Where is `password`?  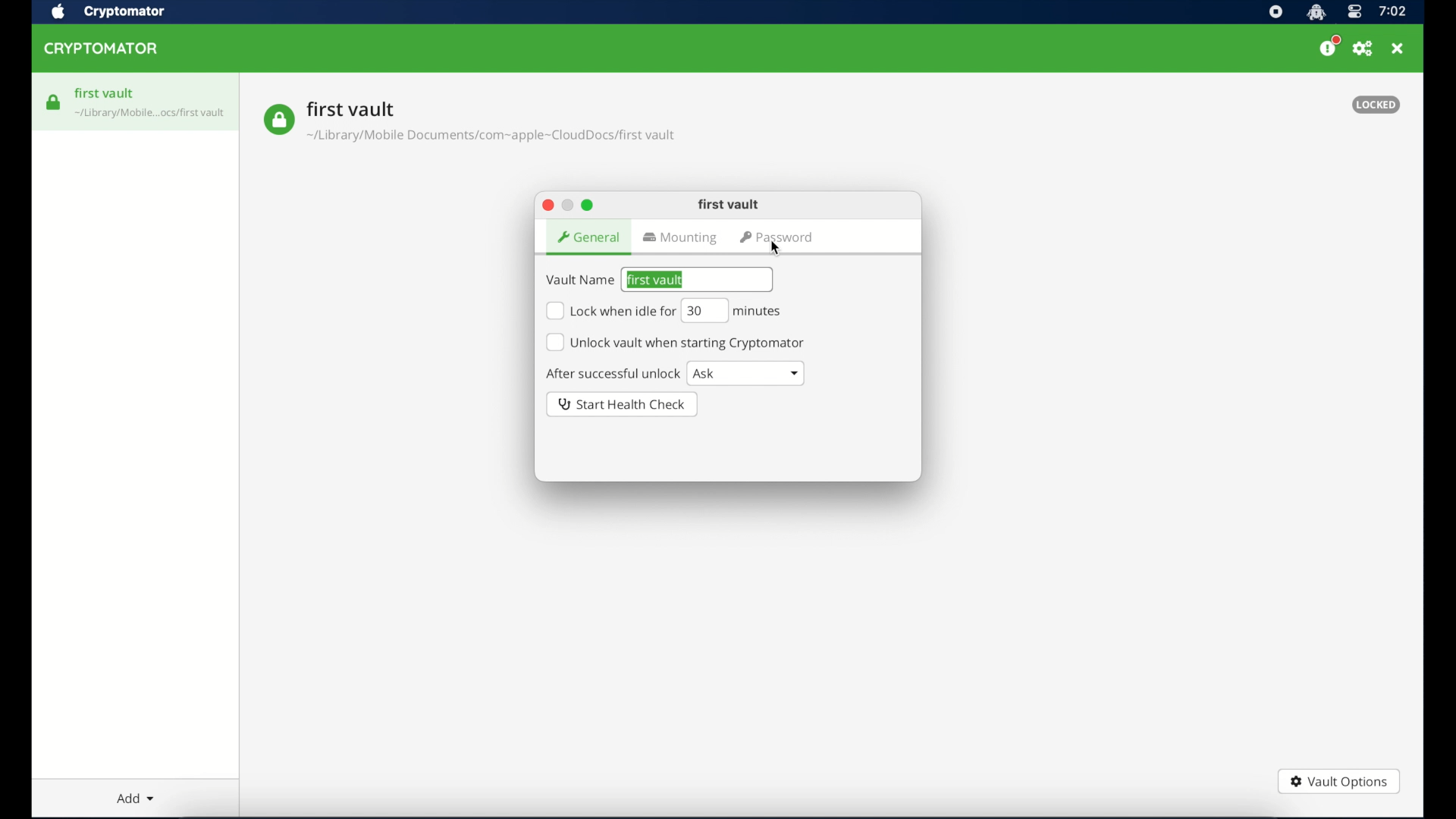 password is located at coordinates (778, 238).